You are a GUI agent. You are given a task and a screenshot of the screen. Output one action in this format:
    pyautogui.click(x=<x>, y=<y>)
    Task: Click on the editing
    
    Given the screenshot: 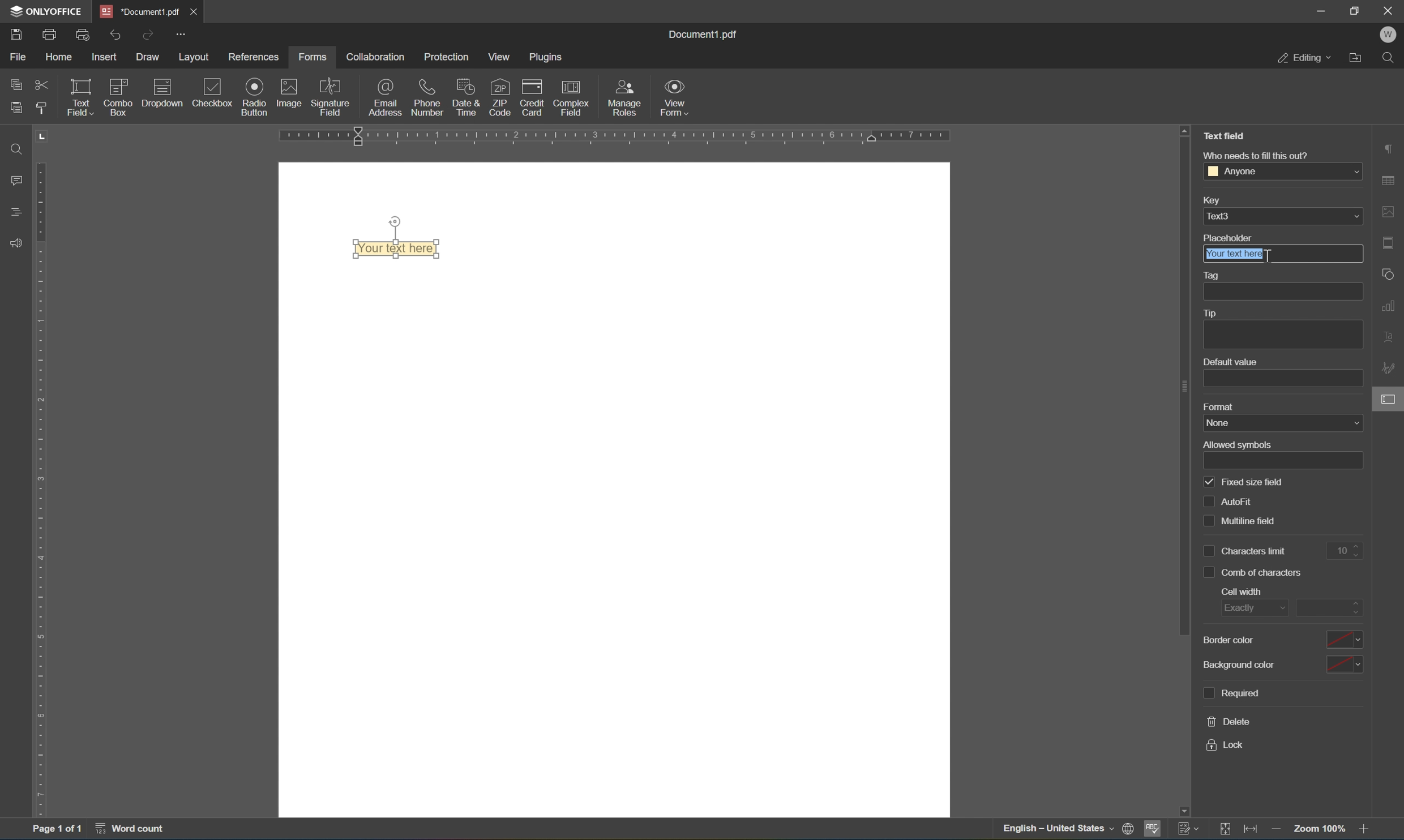 What is the action you would take?
    pyautogui.click(x=1302, y=59)
    